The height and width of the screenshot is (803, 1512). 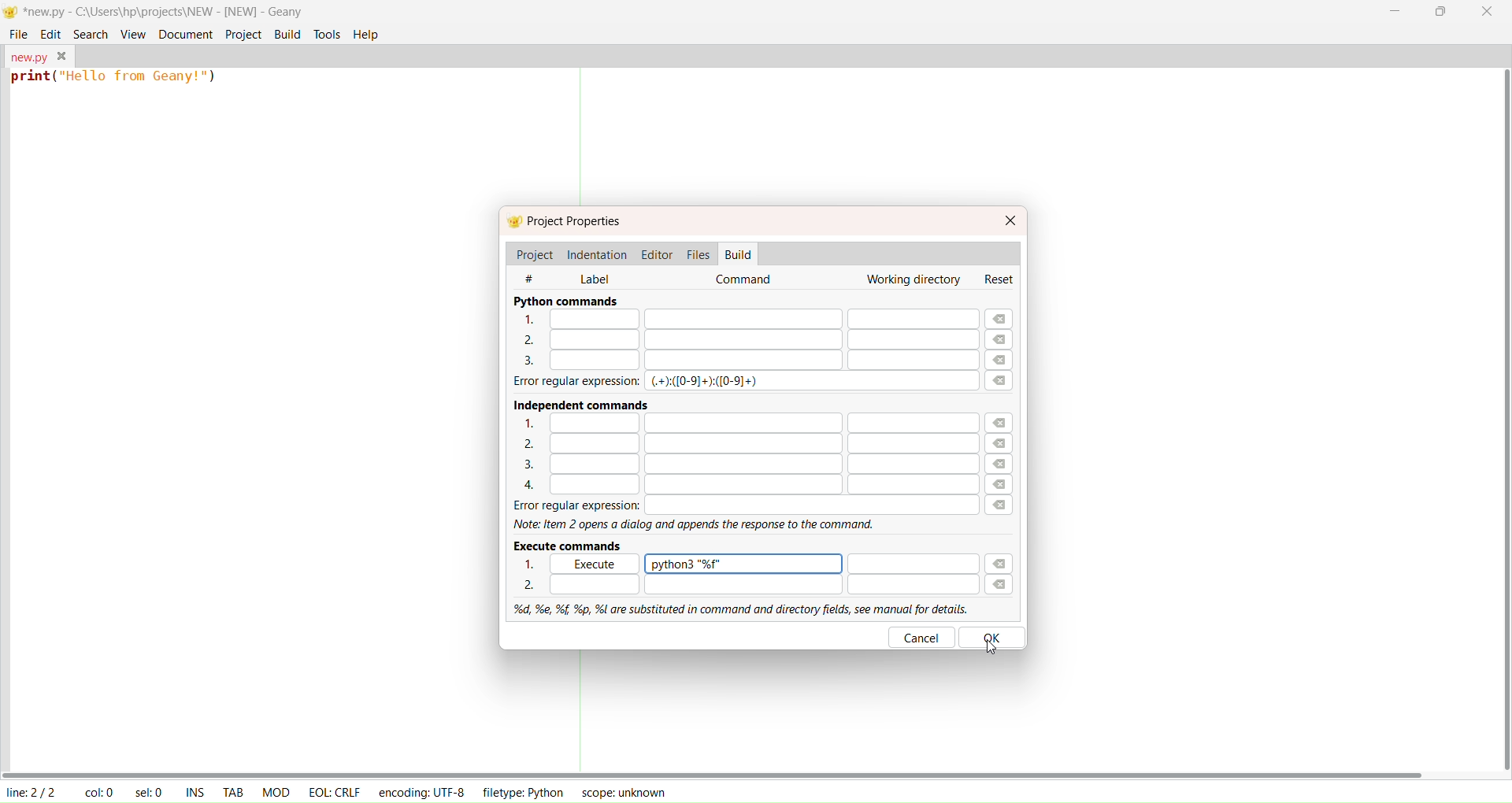 I want to click on instruction, so click(x=698, y=525).